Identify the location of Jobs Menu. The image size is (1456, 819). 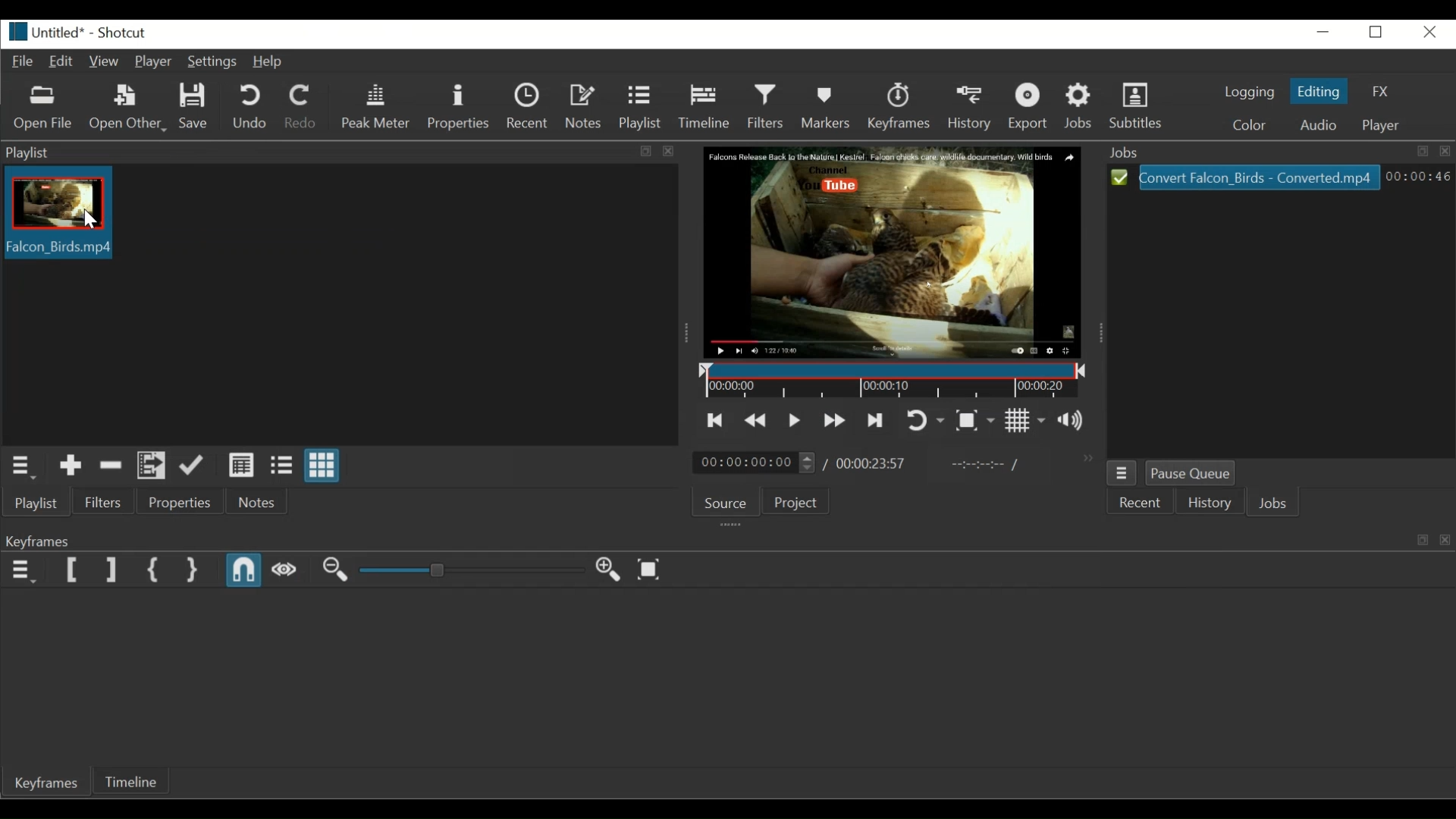
(1125, 472).